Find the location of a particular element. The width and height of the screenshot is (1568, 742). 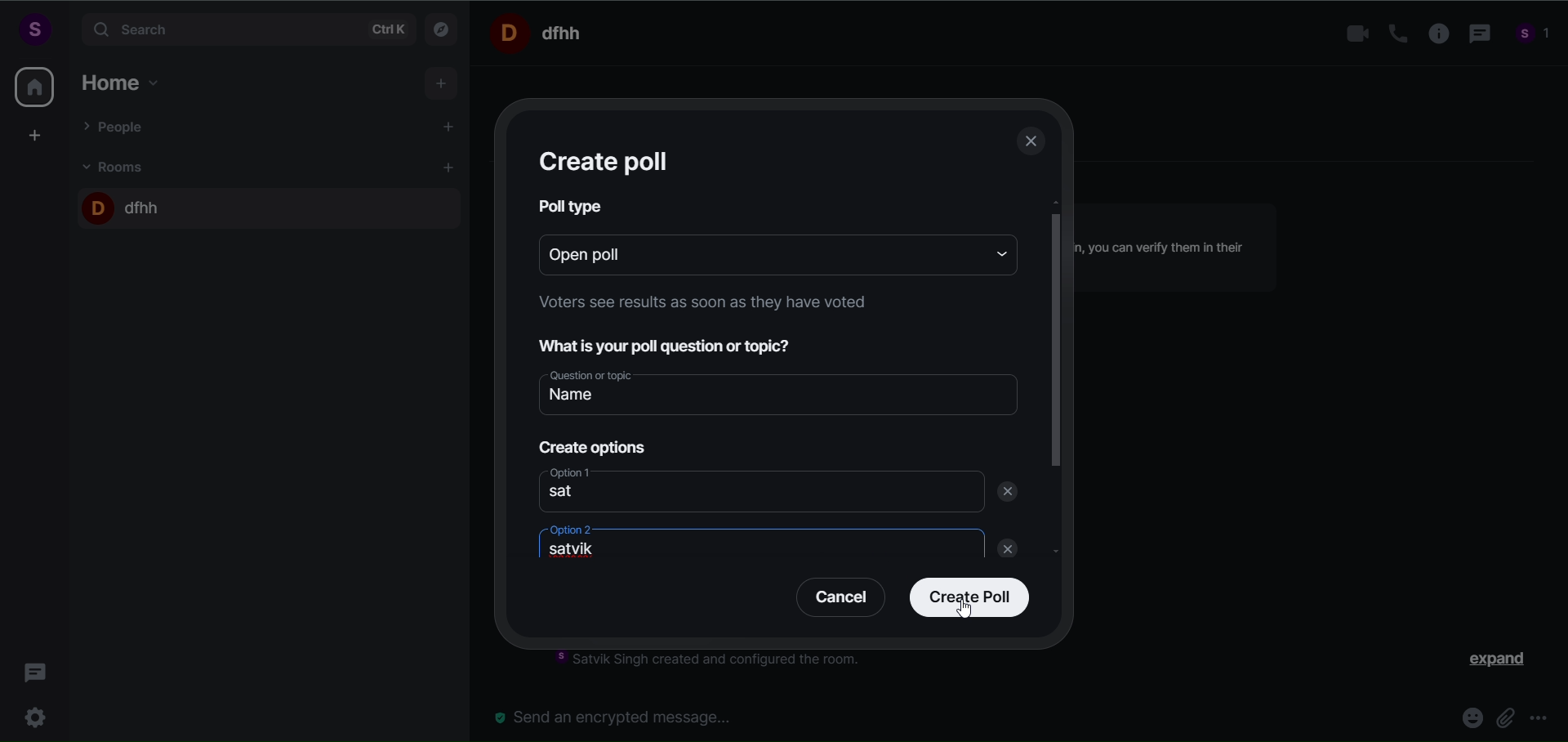

instruction is located at coordinates (714, 304).